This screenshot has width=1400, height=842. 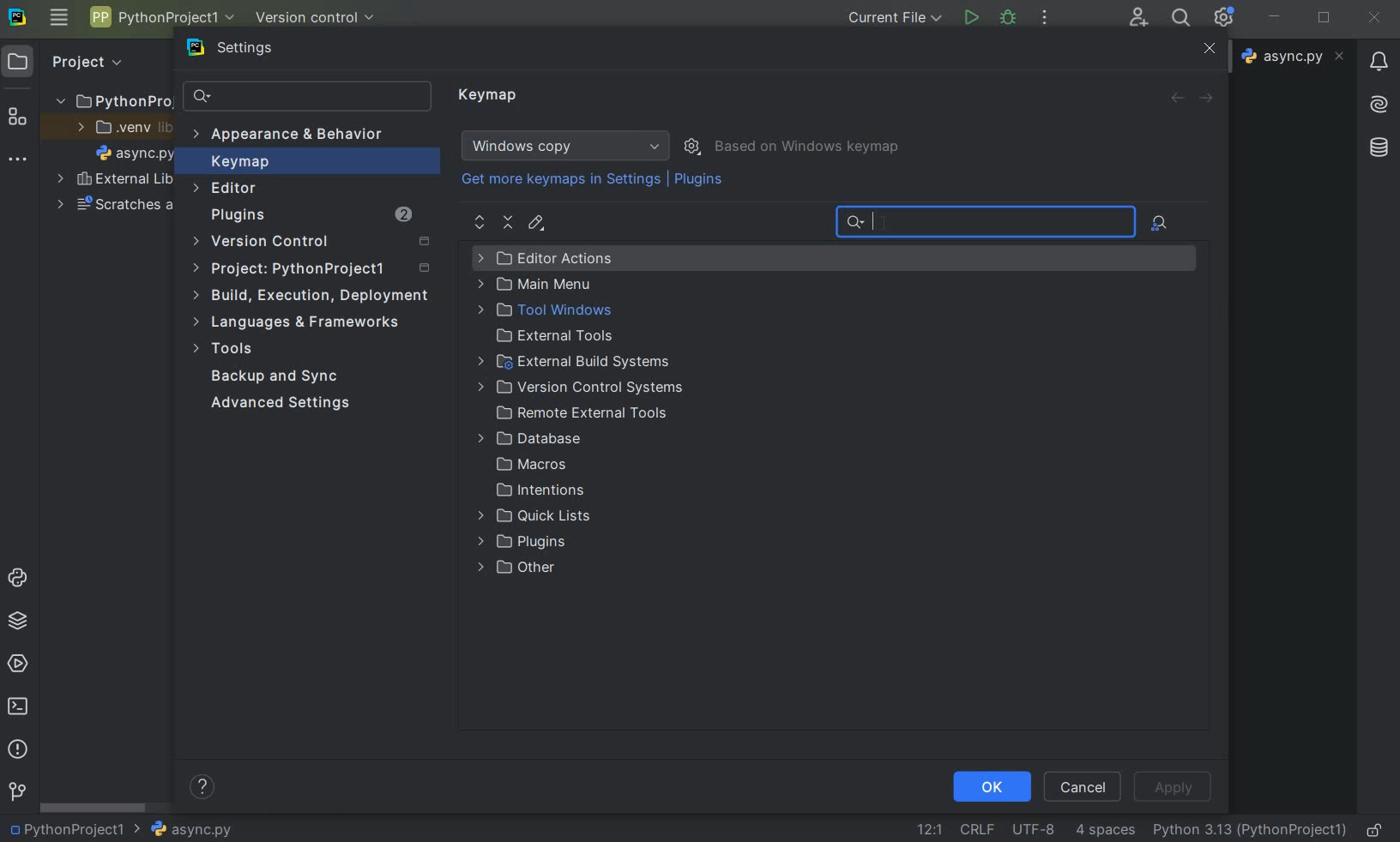 I want to click on apply, so click(x=1172, y=787).